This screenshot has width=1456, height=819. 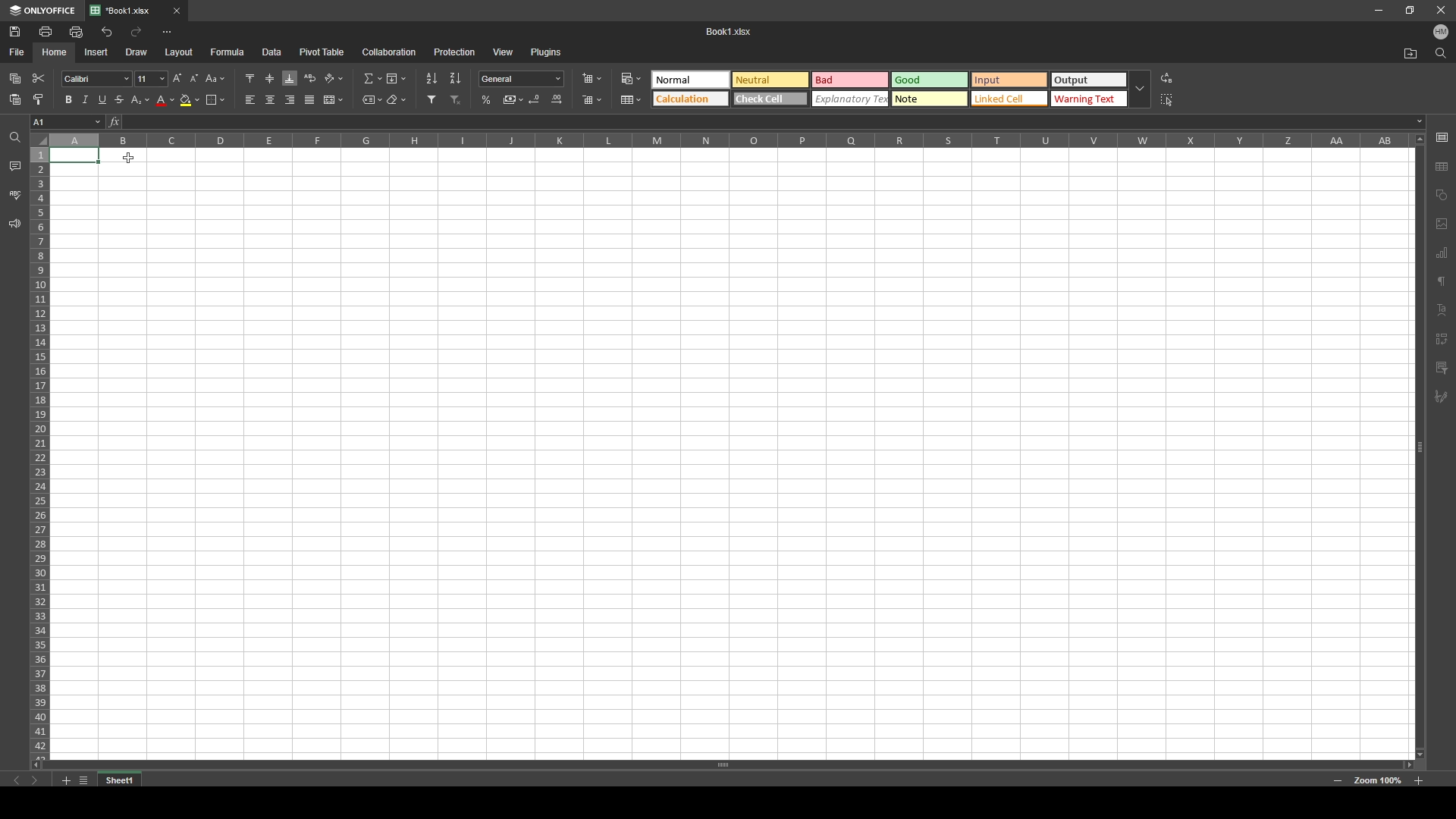 I want to click on replace, so click(x=1166, y=78).